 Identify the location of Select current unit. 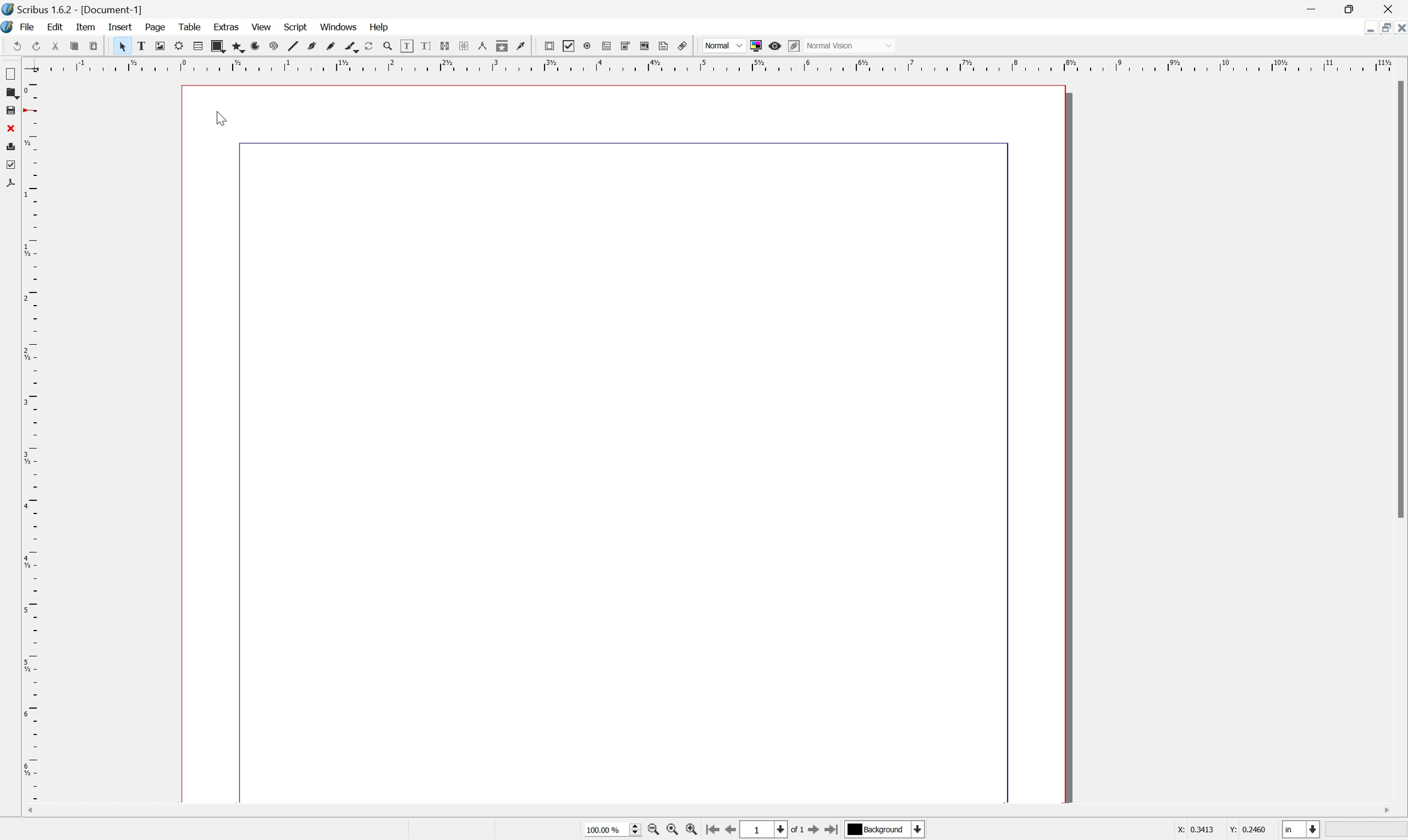
(1300, 829).